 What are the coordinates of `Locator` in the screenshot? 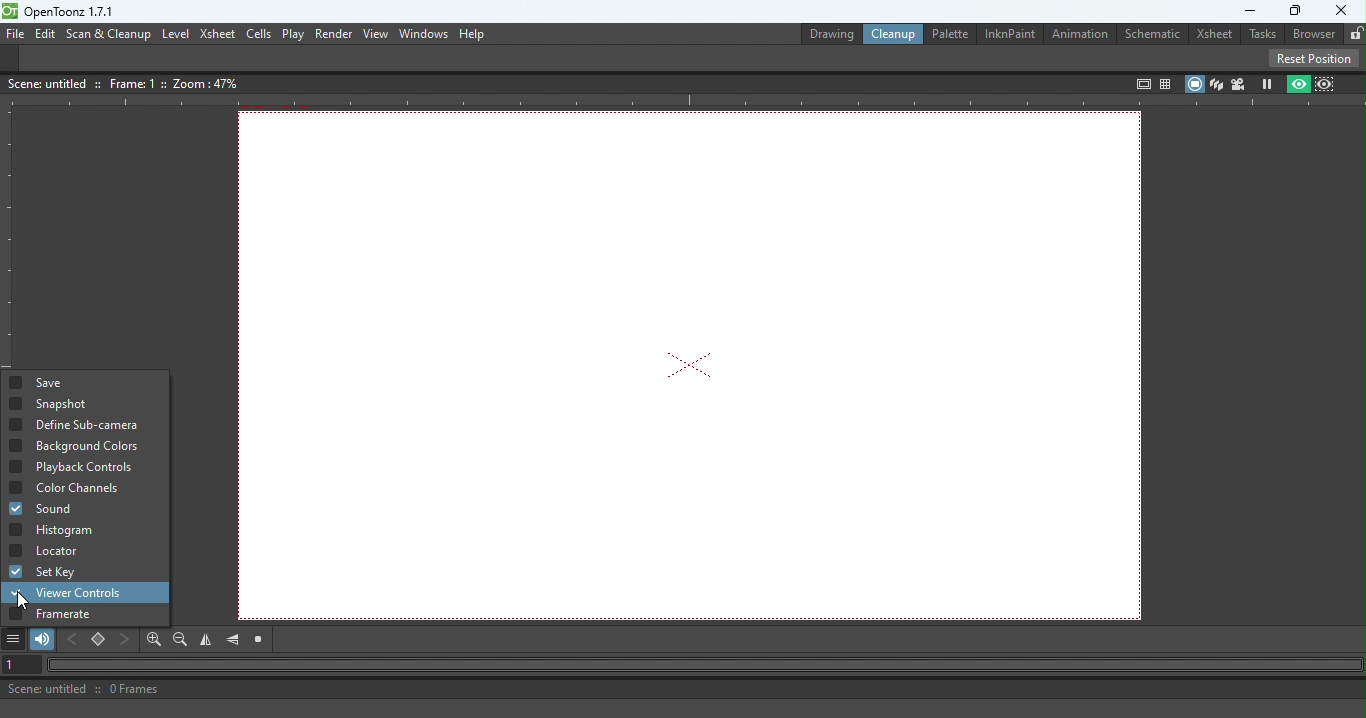 It's located at (50, 550).